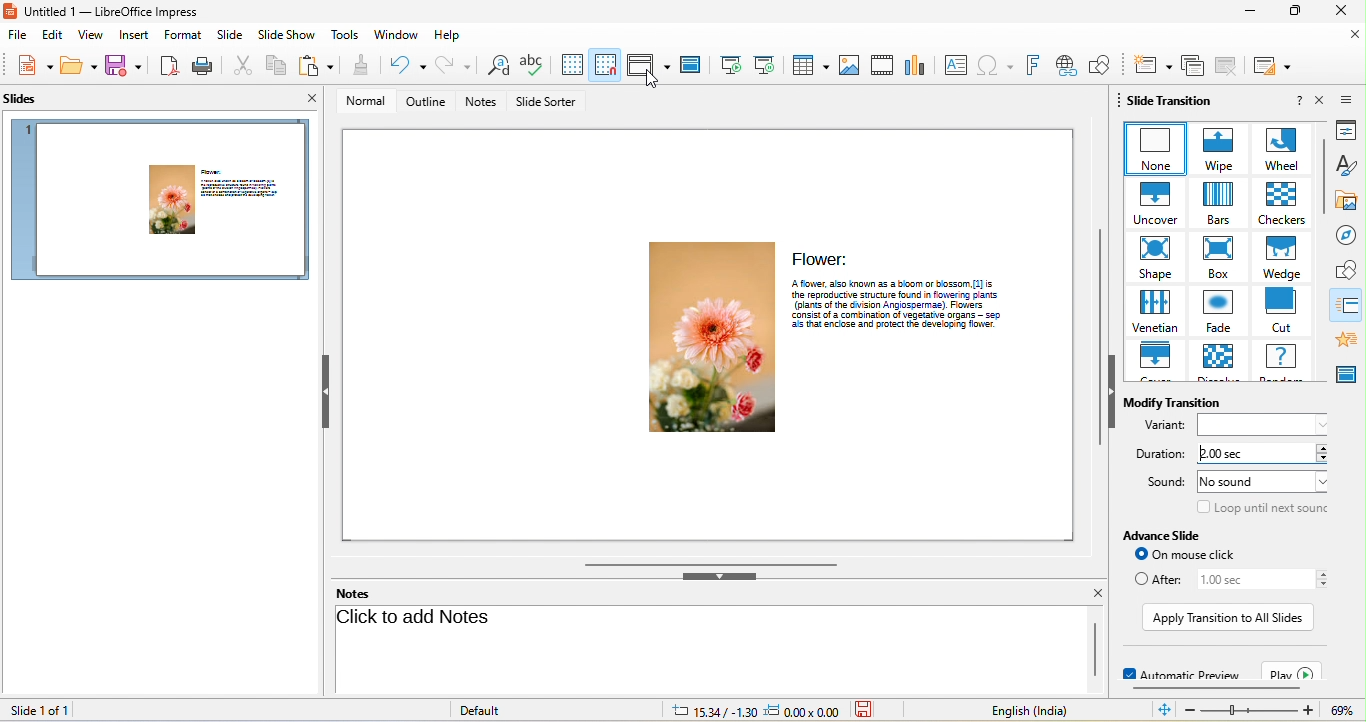 This screenshot has height=722, width=1366. I want to click on (plants of the dwvision Angiospermae). Flowers, so click(907, 304).